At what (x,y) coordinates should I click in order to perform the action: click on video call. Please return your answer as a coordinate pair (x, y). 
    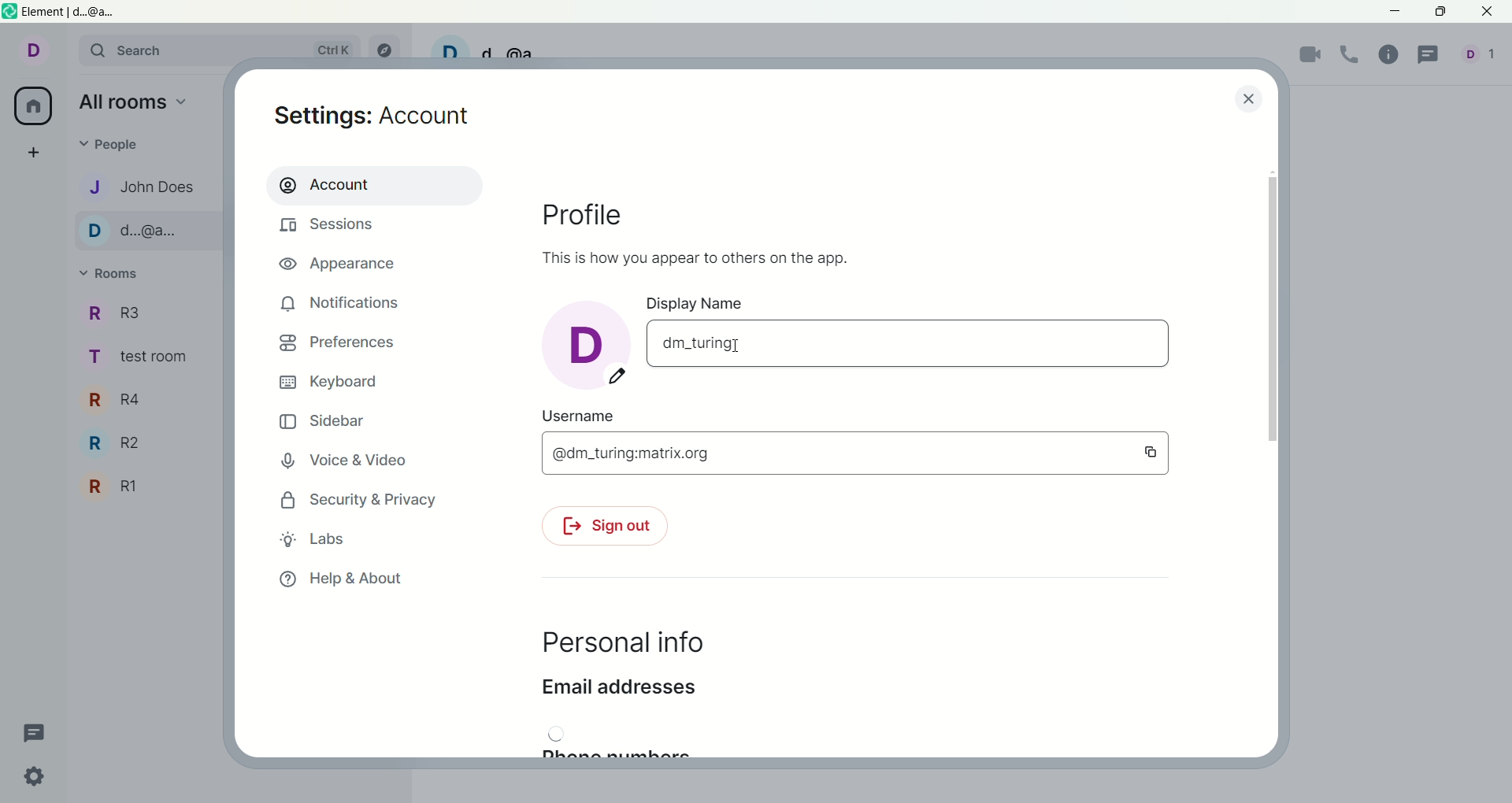
    Looking at the image, I should click on (1311, 57).